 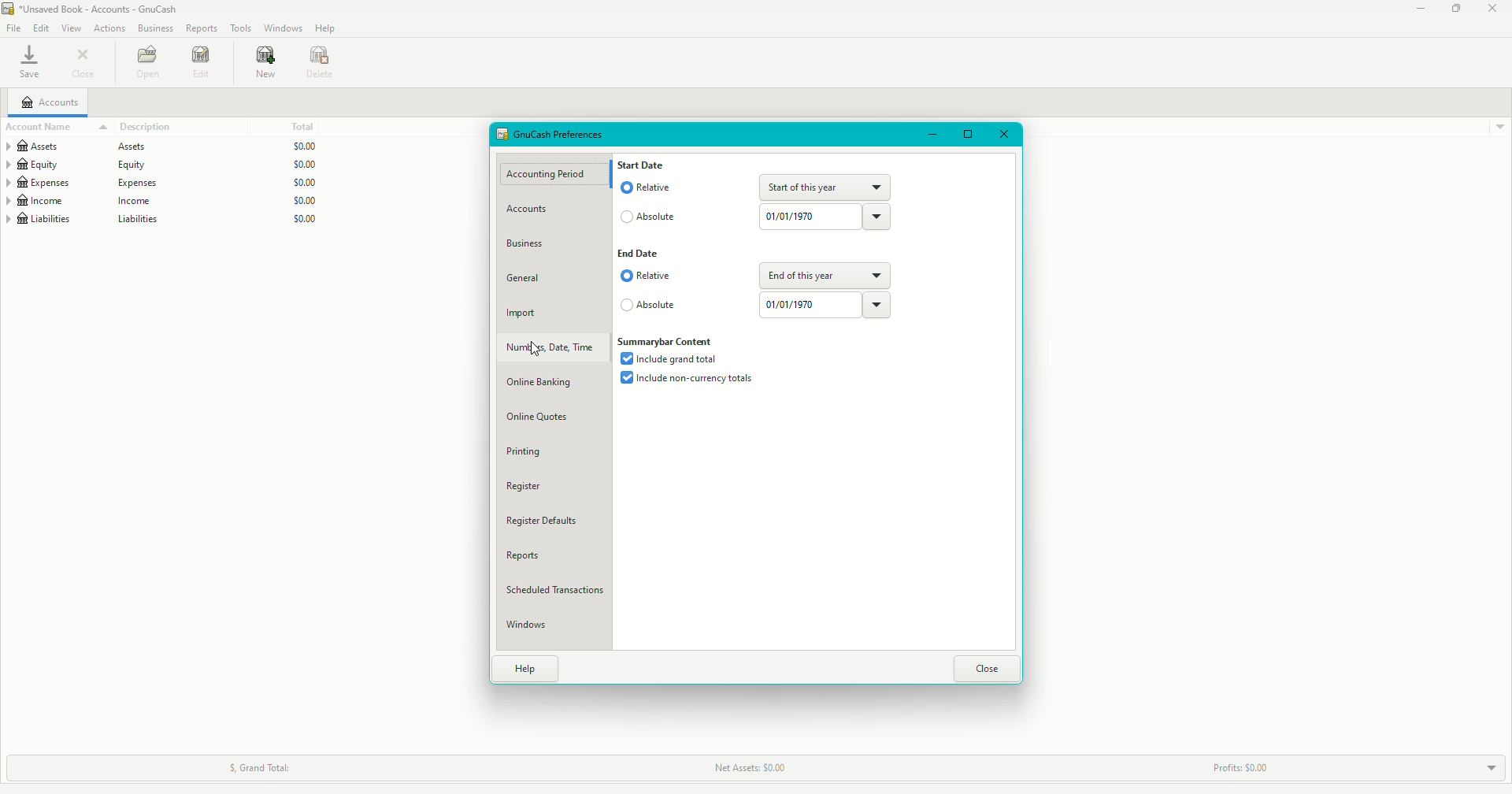 What do you see at coordinates (643, 165) in the screenshot?
I see `Start Date` at bounding box center [643, 165].